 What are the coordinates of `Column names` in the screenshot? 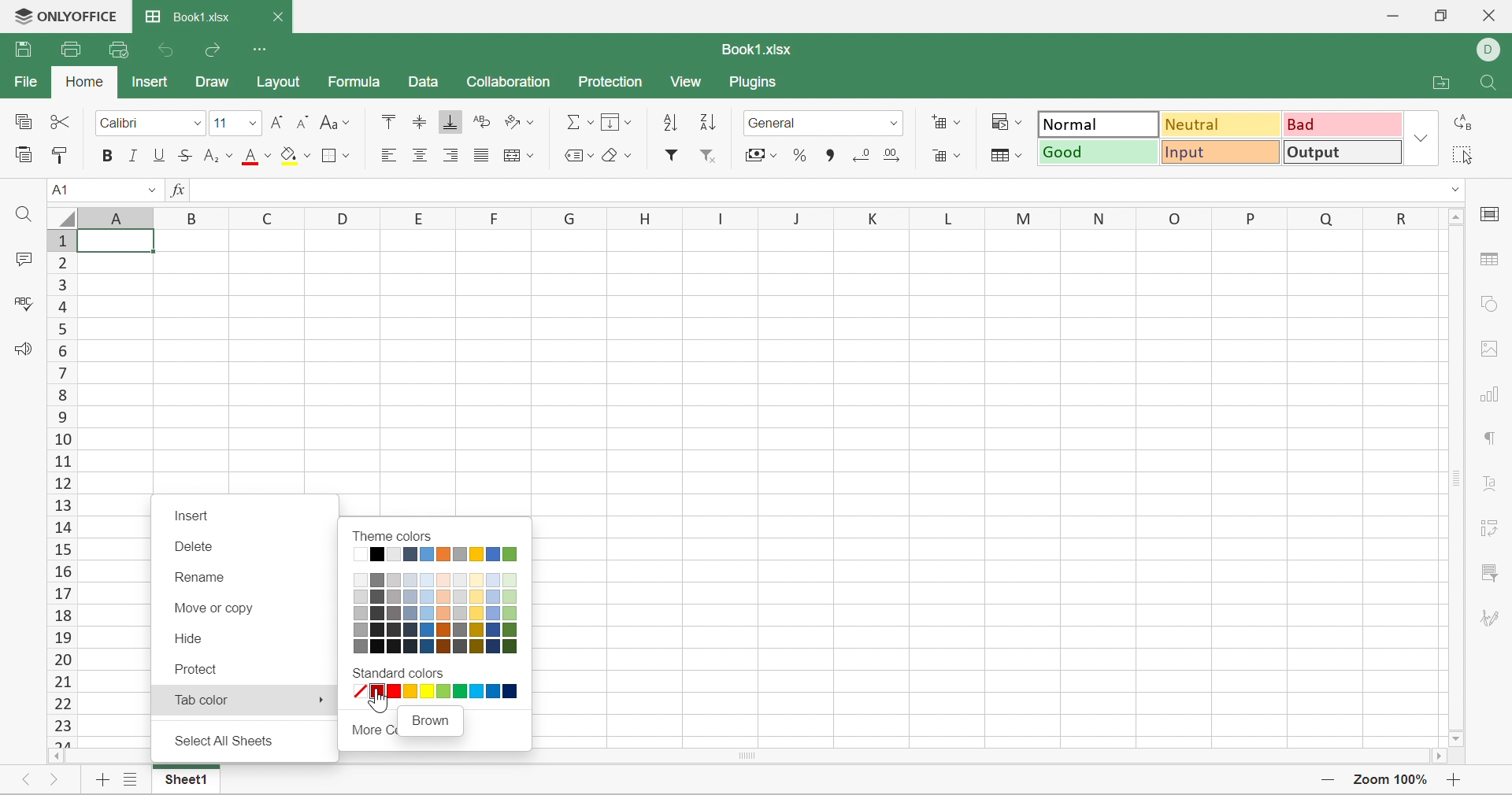 It's located at (117, 217).